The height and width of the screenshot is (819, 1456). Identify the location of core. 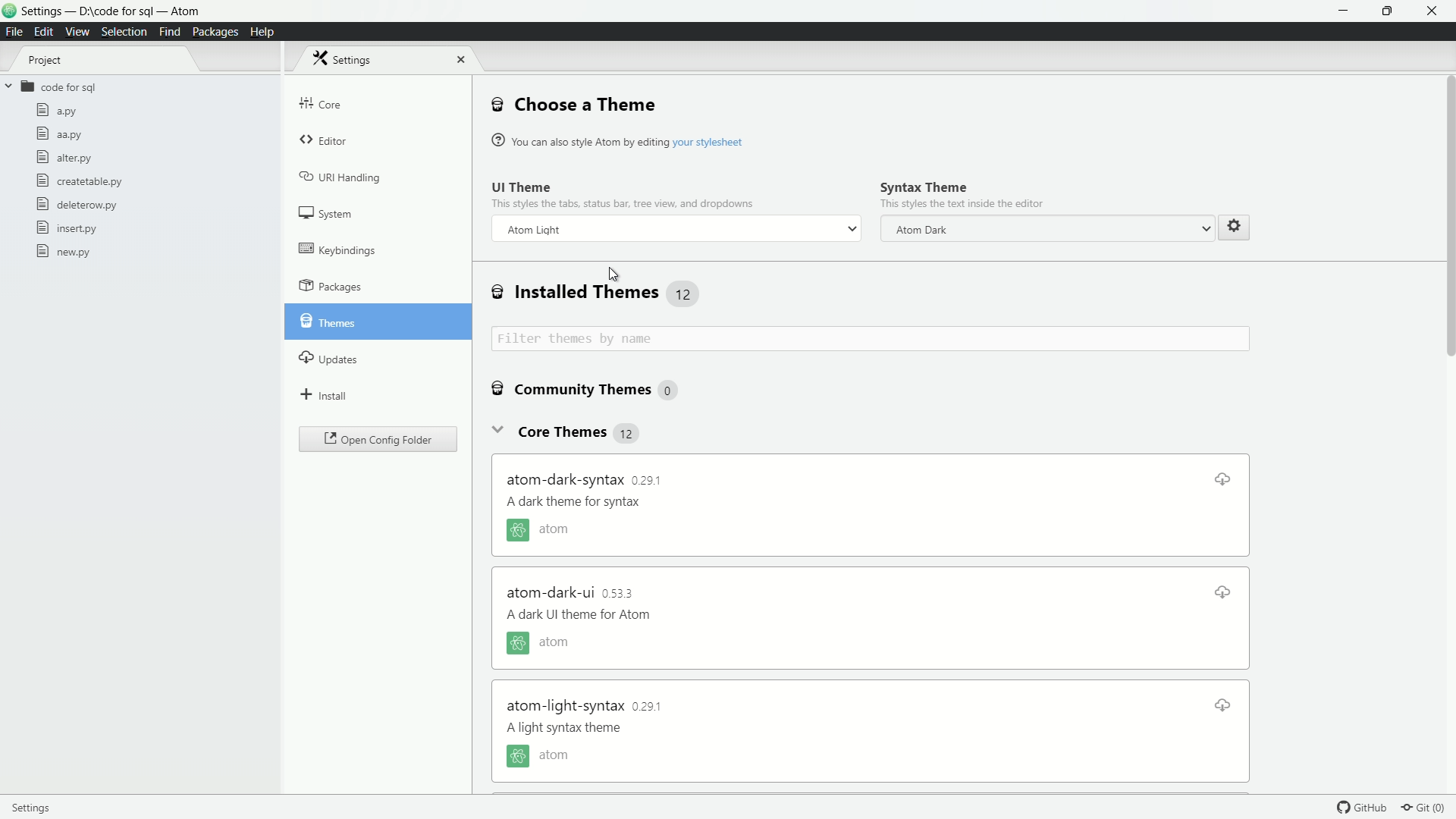
(322, 101).